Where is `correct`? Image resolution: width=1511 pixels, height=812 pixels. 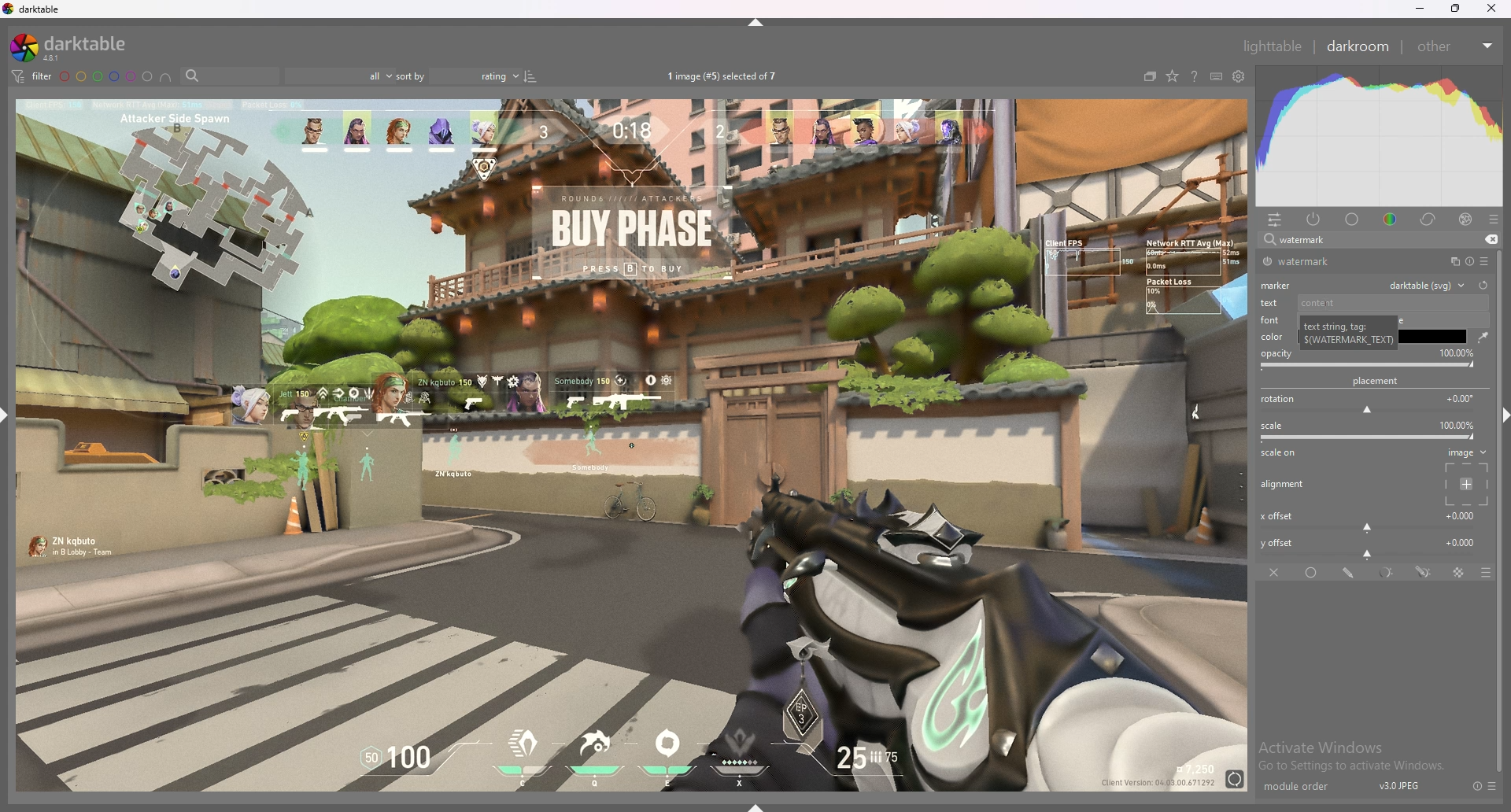 correct is located at coordinates (1429, 219).